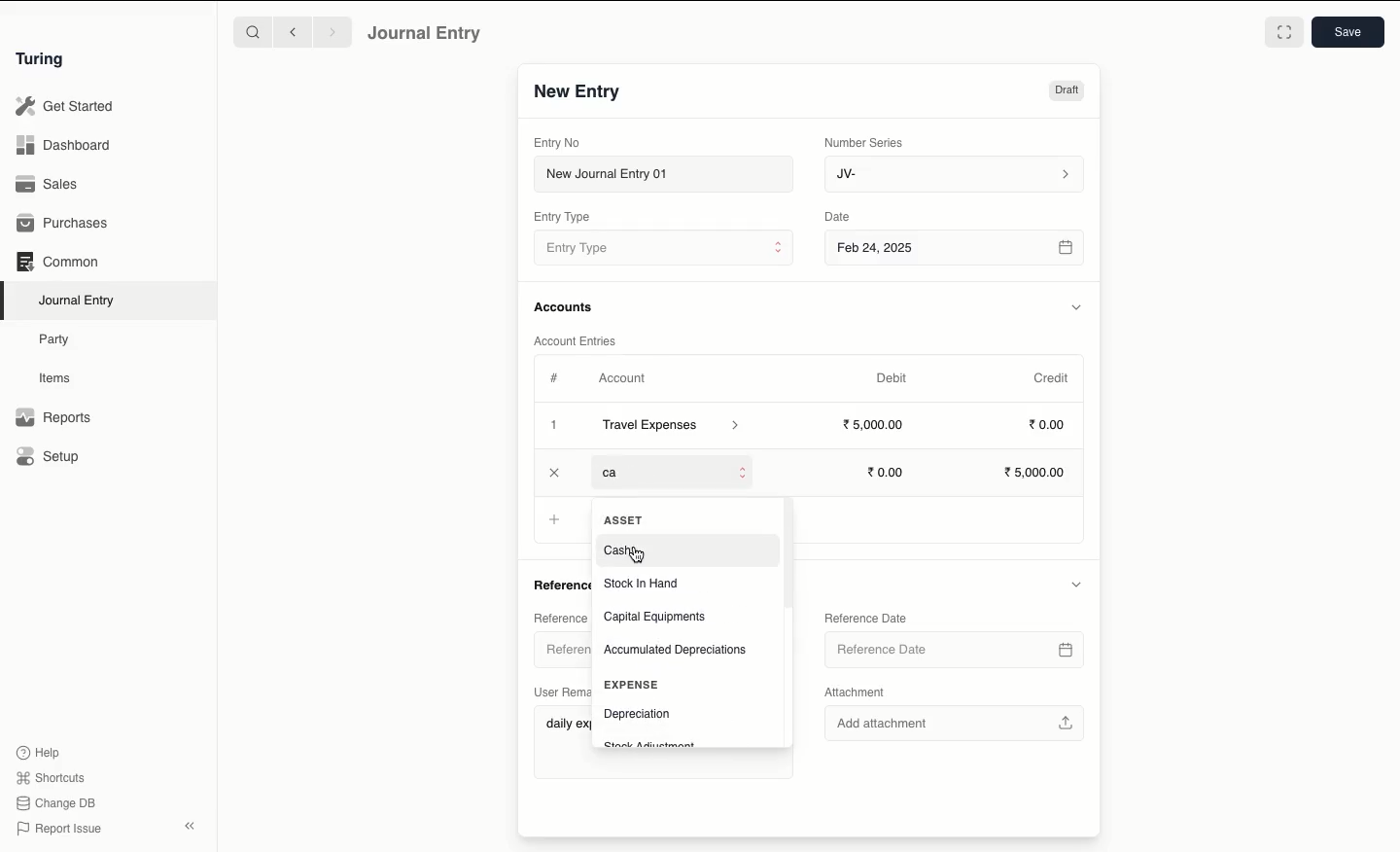 The width and height of the screenshot is (1400, 852). I want to click on Accounts, so click(565, 307).